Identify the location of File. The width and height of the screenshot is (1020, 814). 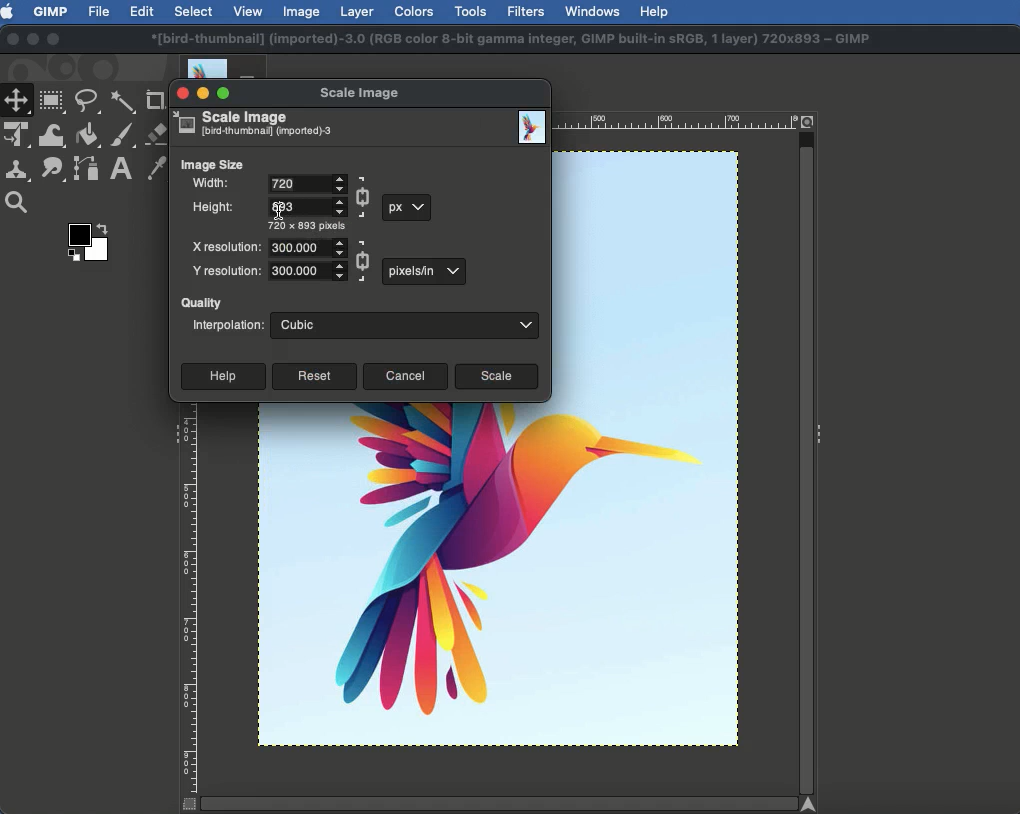
(98, 12).